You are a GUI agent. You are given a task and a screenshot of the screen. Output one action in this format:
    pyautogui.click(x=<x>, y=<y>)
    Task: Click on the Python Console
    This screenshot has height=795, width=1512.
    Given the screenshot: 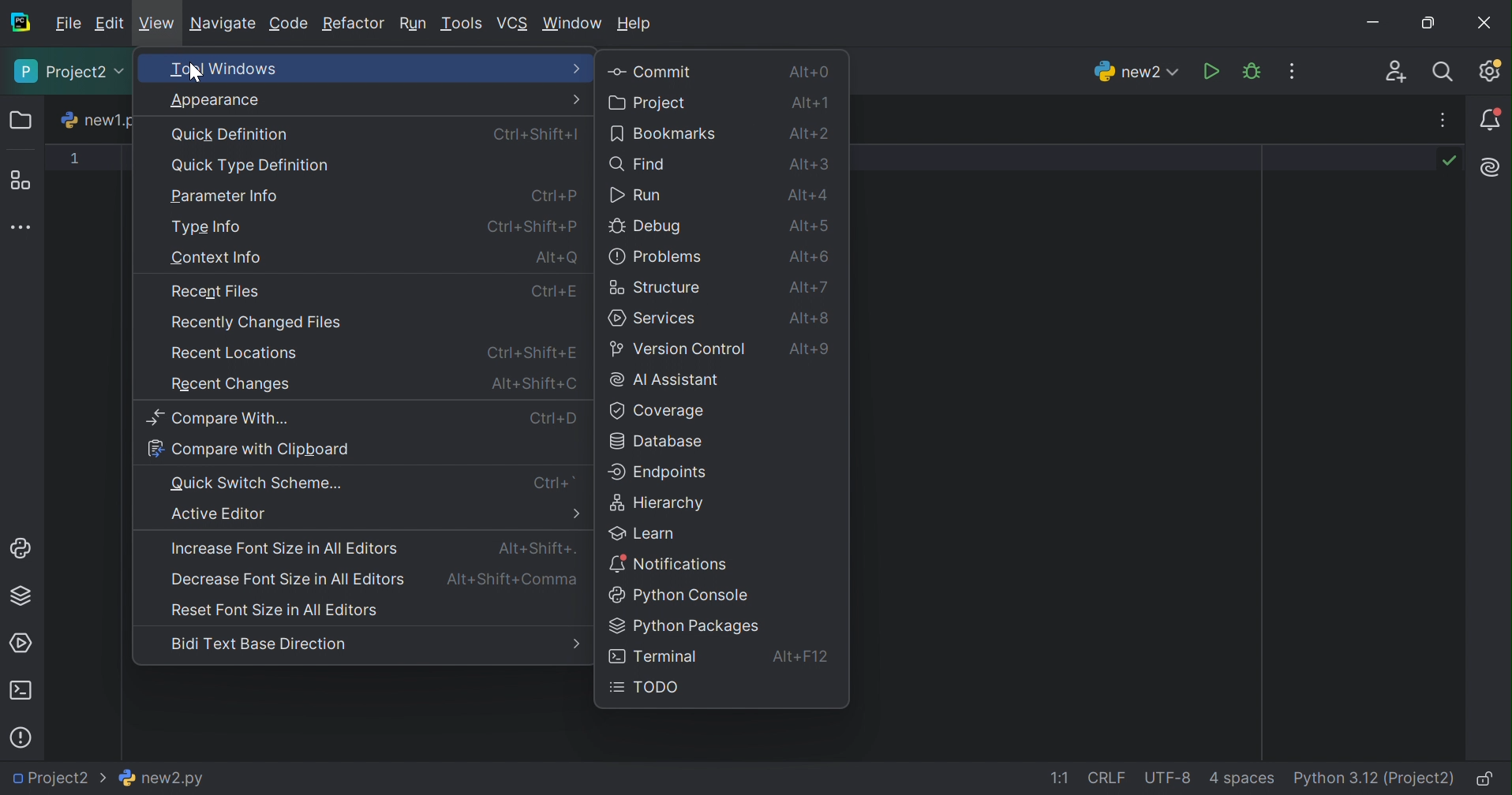 What is the action you would take?
    pyautogui.click(x=22, y=550)
    